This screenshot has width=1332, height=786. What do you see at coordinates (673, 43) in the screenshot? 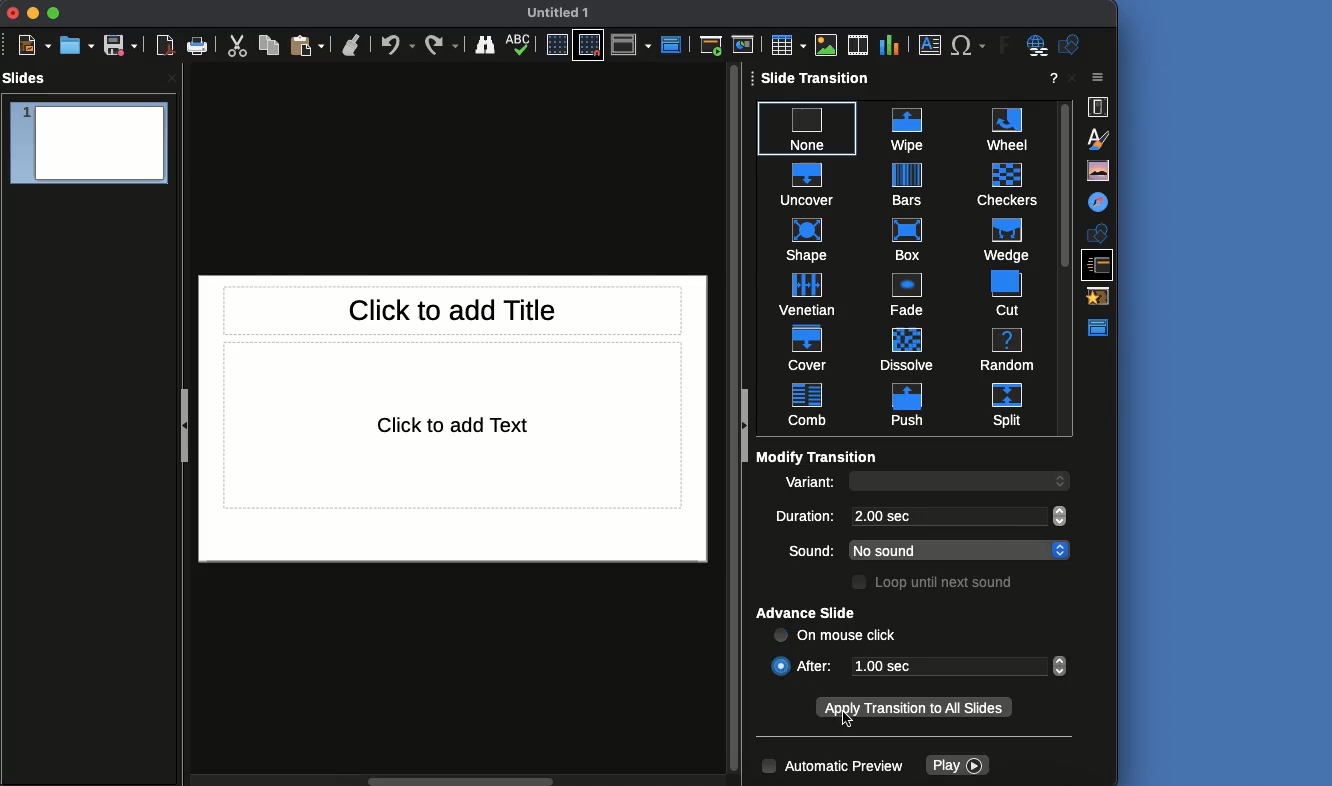
I see `Master view` at bounding box center [673, 43].